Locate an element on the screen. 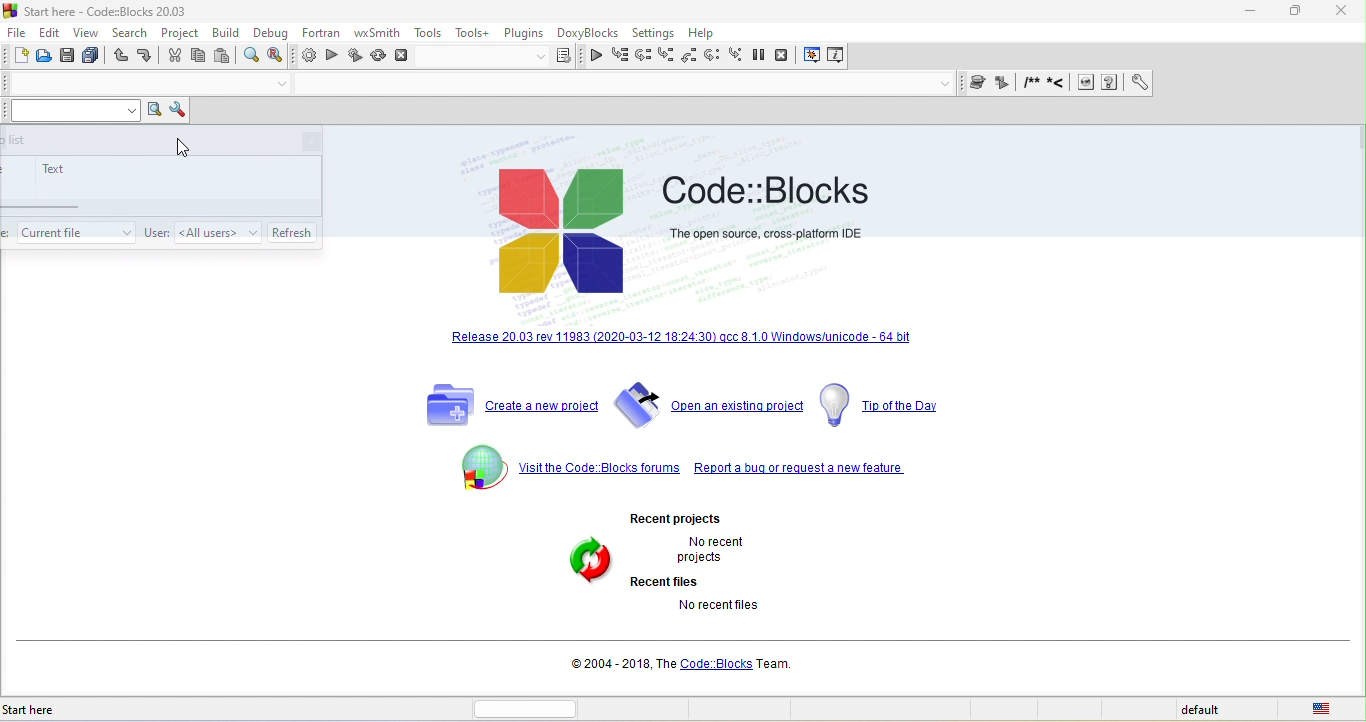 Image resolution: width=1366 pixels, height=722 pixels. next instruction is located at coordinates (716, 57).